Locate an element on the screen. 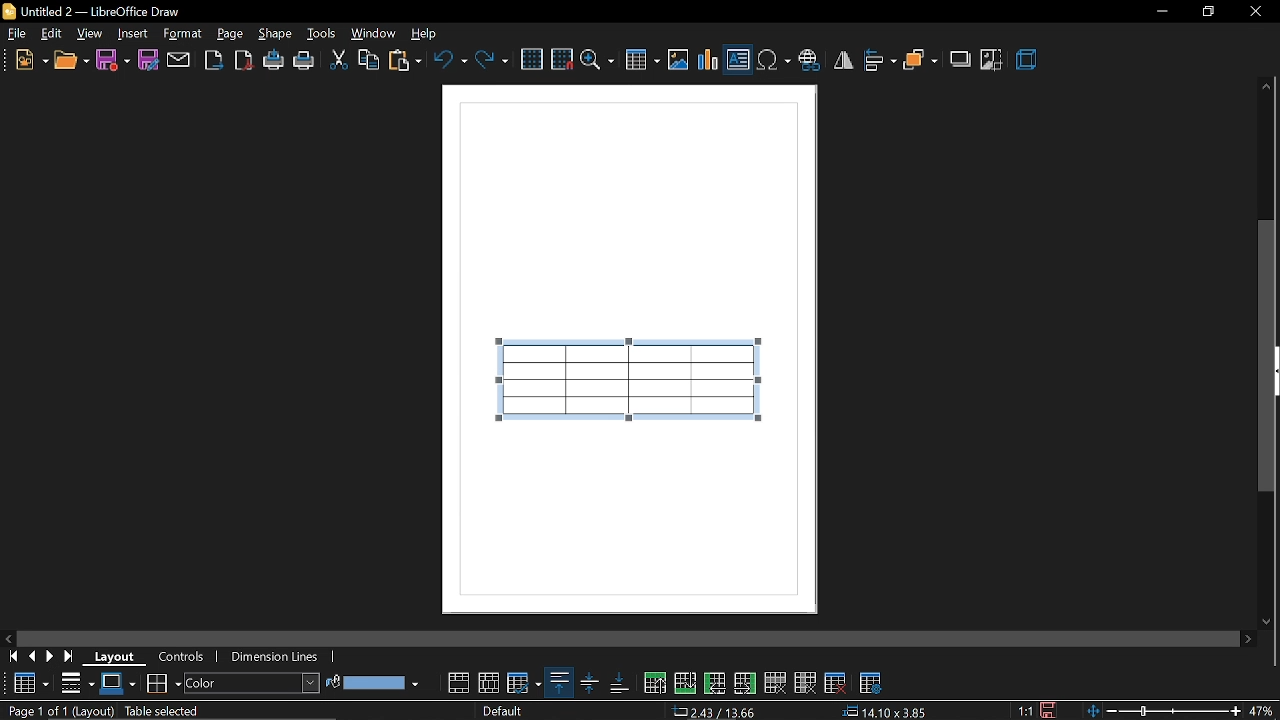 Image resolution: width=1280 pixels, height=720 pixels. cut  is located at coordinates (340, 61).